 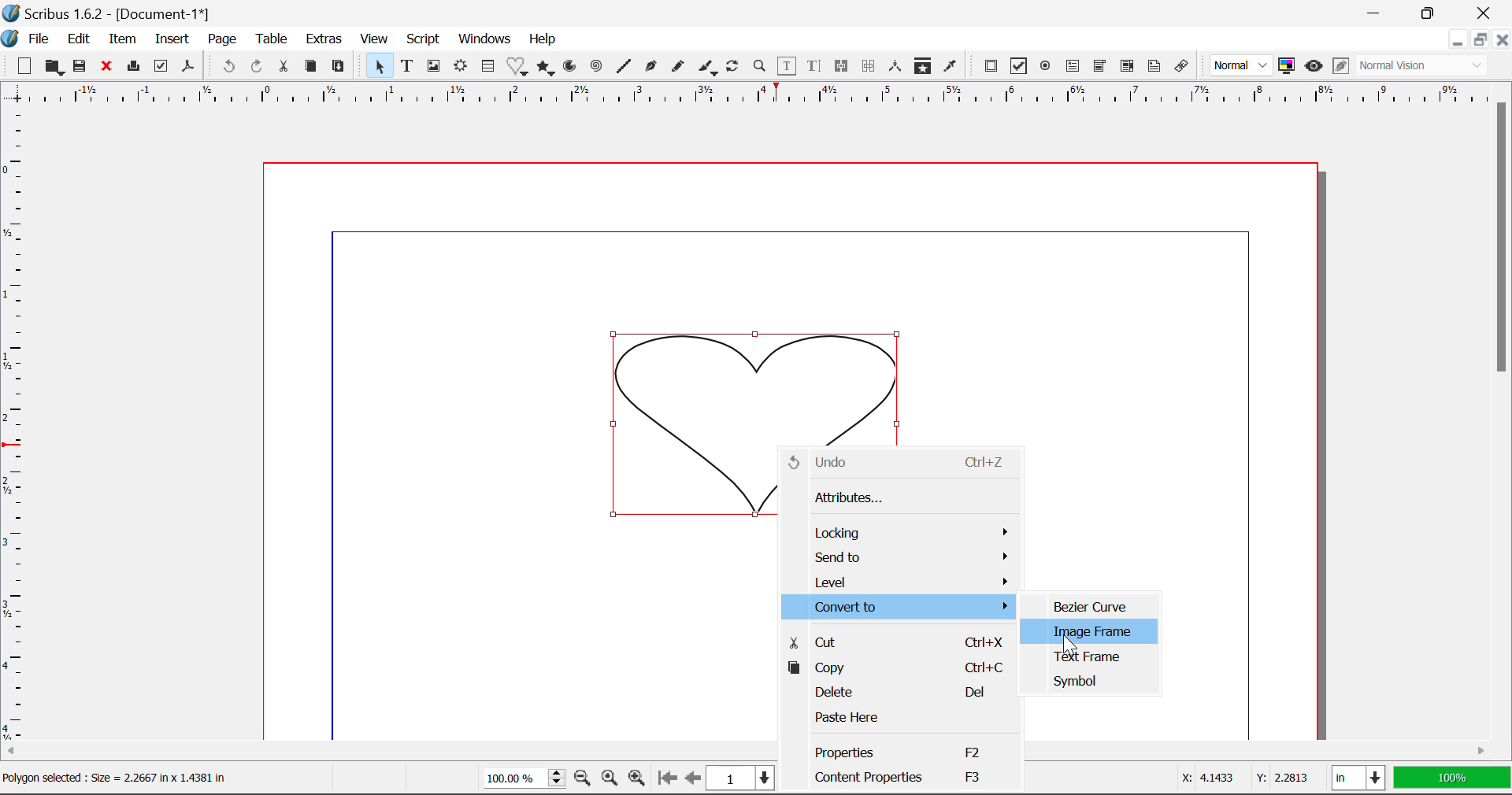 I want to click on Edit in Preview Mode, so click(x=1340, y=66).